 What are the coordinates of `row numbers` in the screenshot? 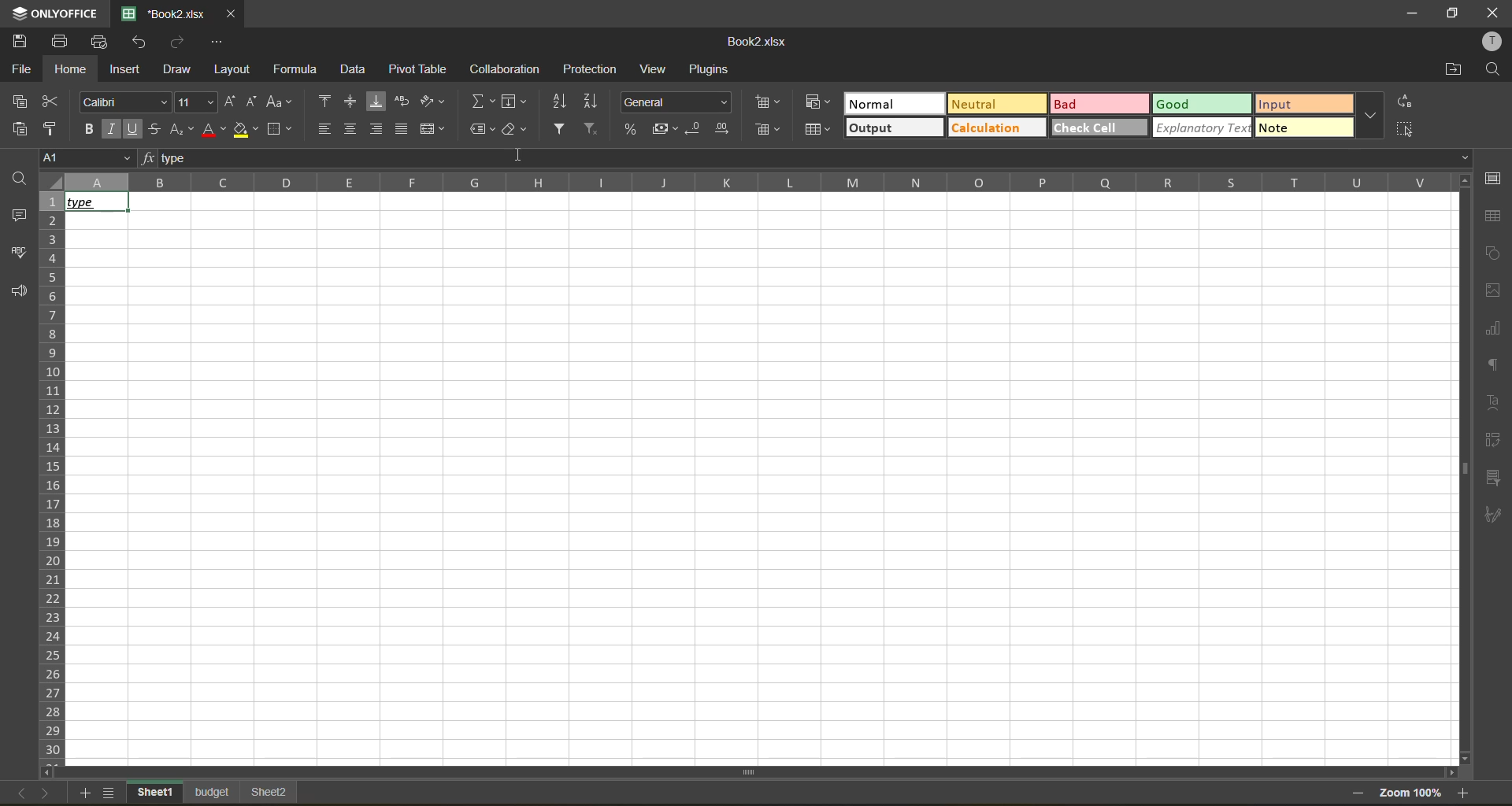 It's located at (50, 478).